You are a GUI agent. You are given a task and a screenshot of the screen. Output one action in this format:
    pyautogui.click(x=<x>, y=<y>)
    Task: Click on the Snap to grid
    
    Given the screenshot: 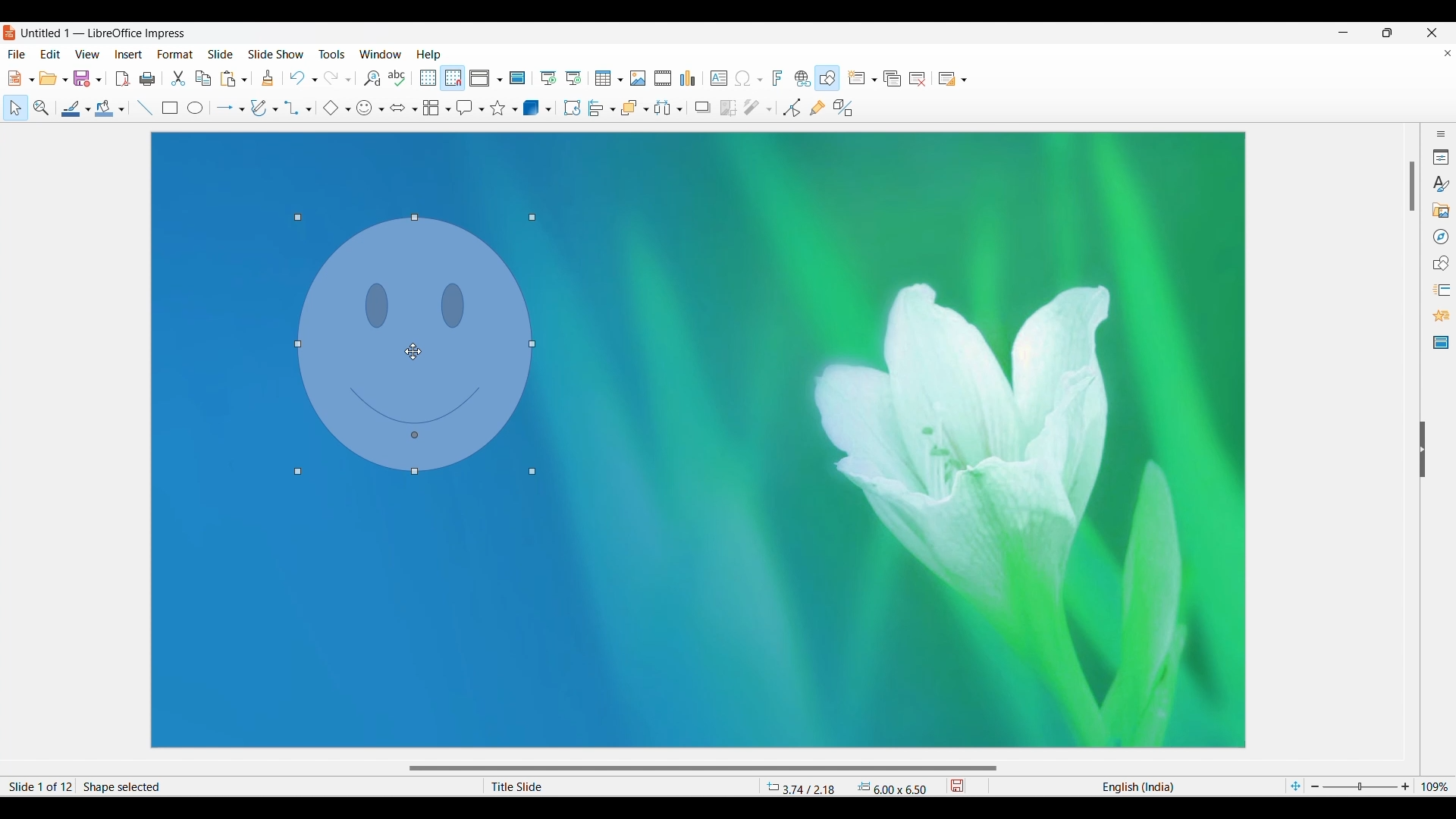 What is the action you would take?
    pyautogui.click(x=453, y=79)
    